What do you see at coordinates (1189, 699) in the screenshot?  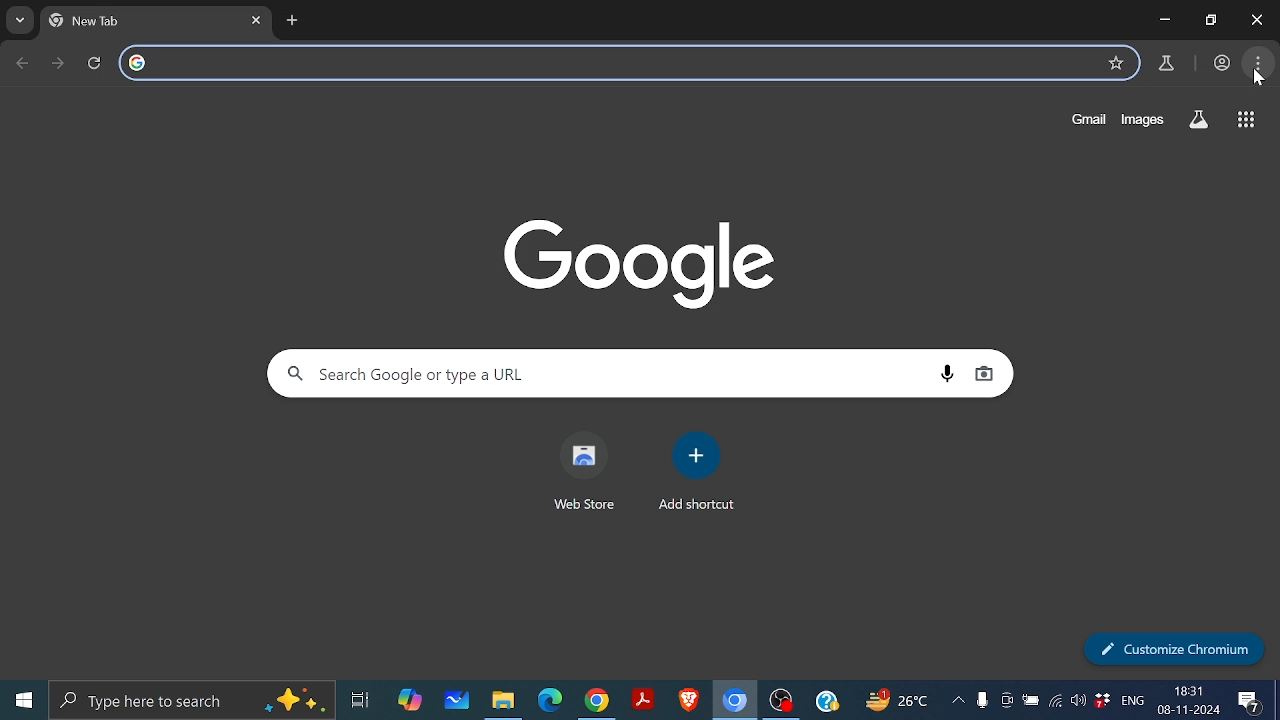 I see `time and date` at bounding box center [1189, 699].